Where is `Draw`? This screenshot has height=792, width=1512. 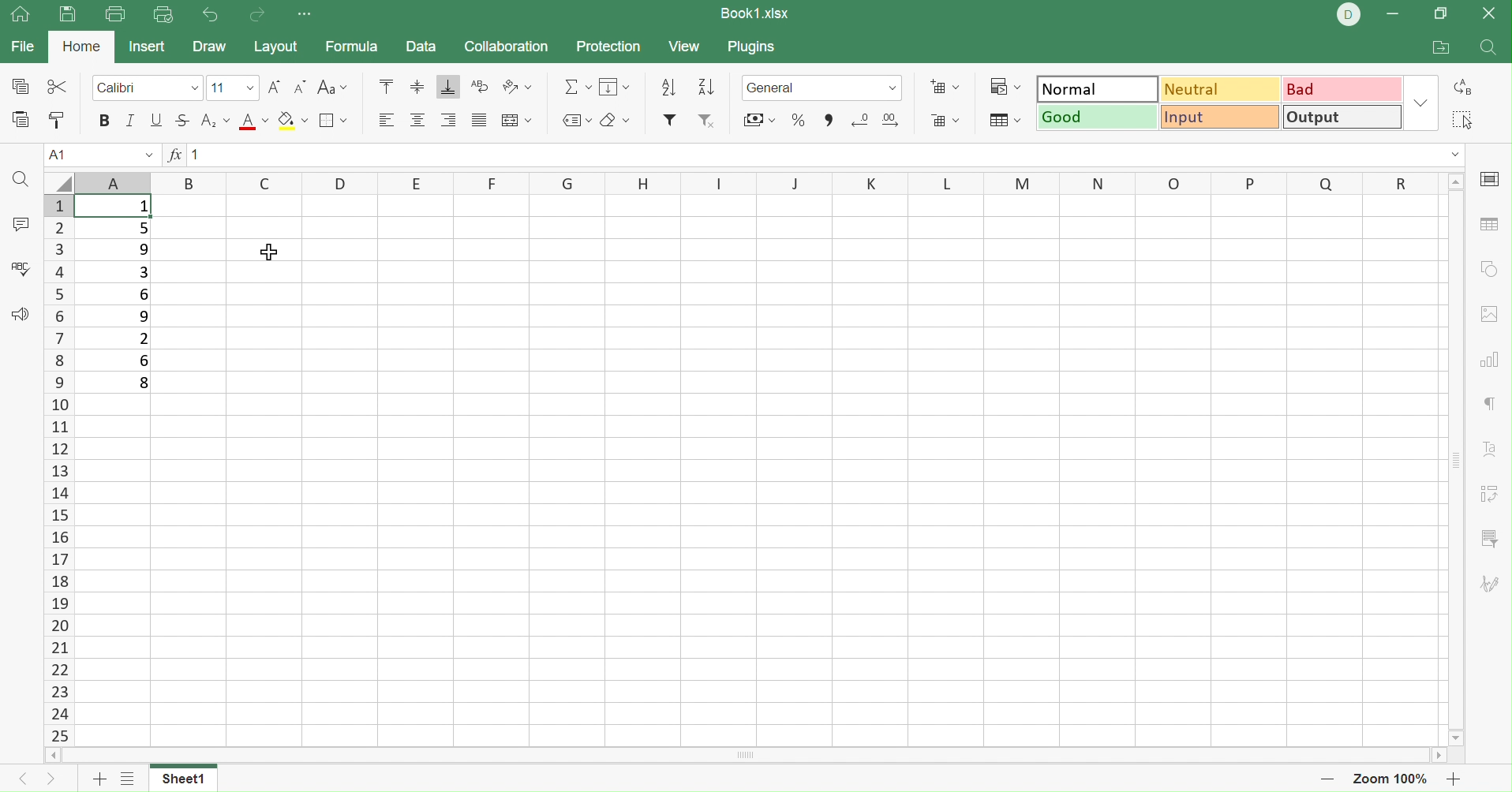
Draw is located at coordinates (208, 47).